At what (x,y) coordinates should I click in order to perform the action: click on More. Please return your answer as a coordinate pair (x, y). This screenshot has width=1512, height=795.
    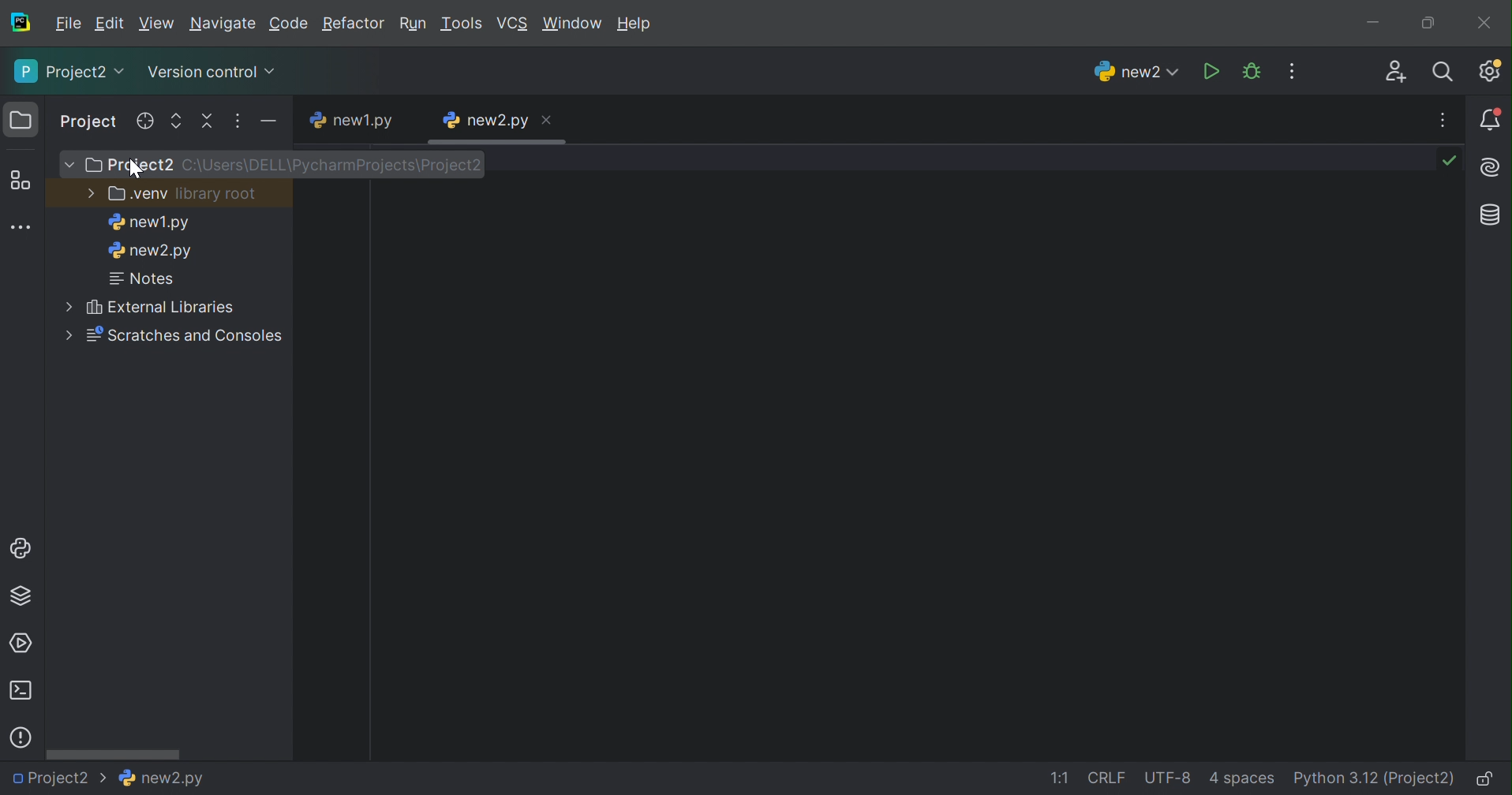
    Looking at the image, I should click on (88, 192).